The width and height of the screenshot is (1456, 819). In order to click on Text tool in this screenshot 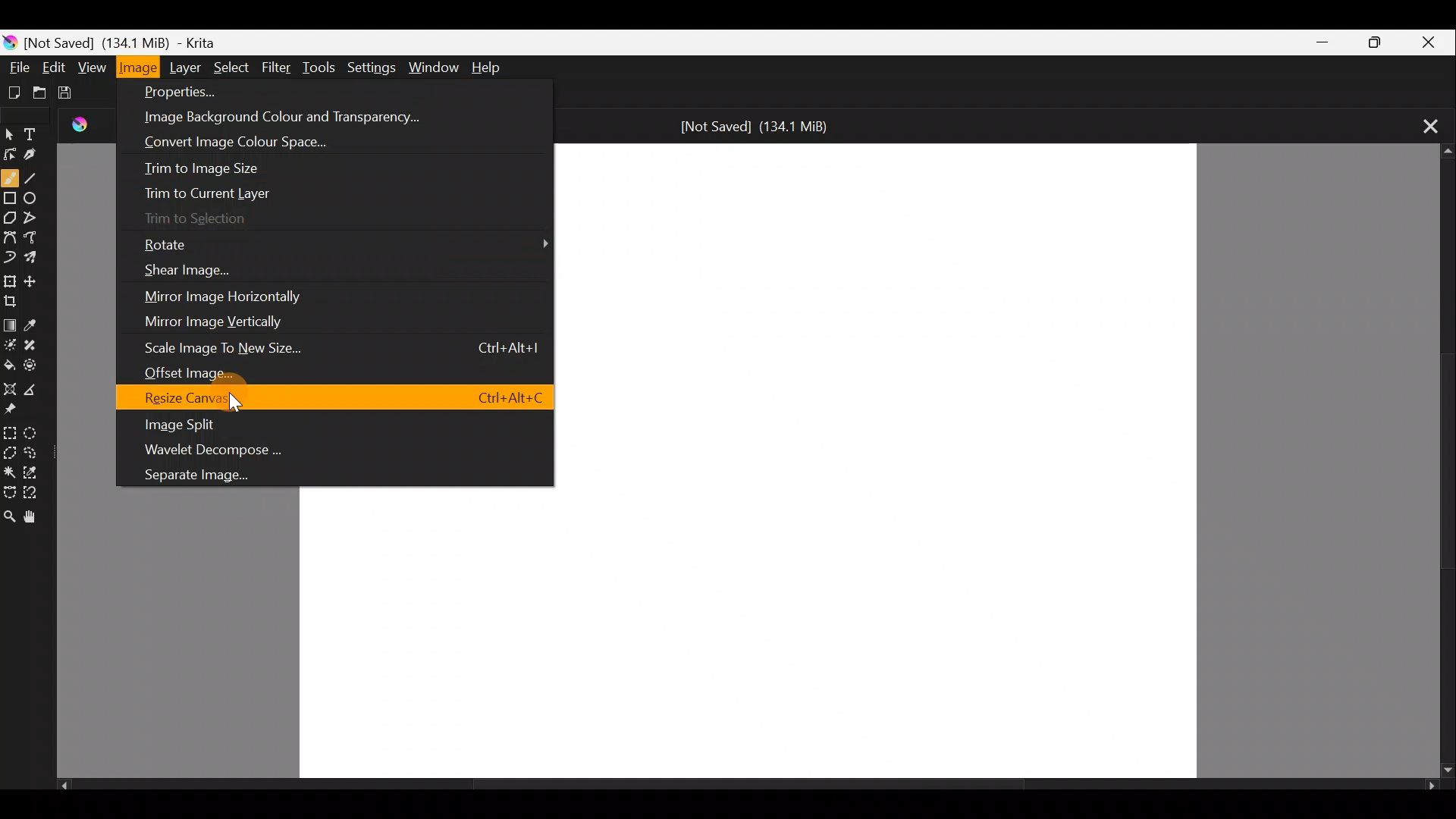, I will do `click(39, 129)`.